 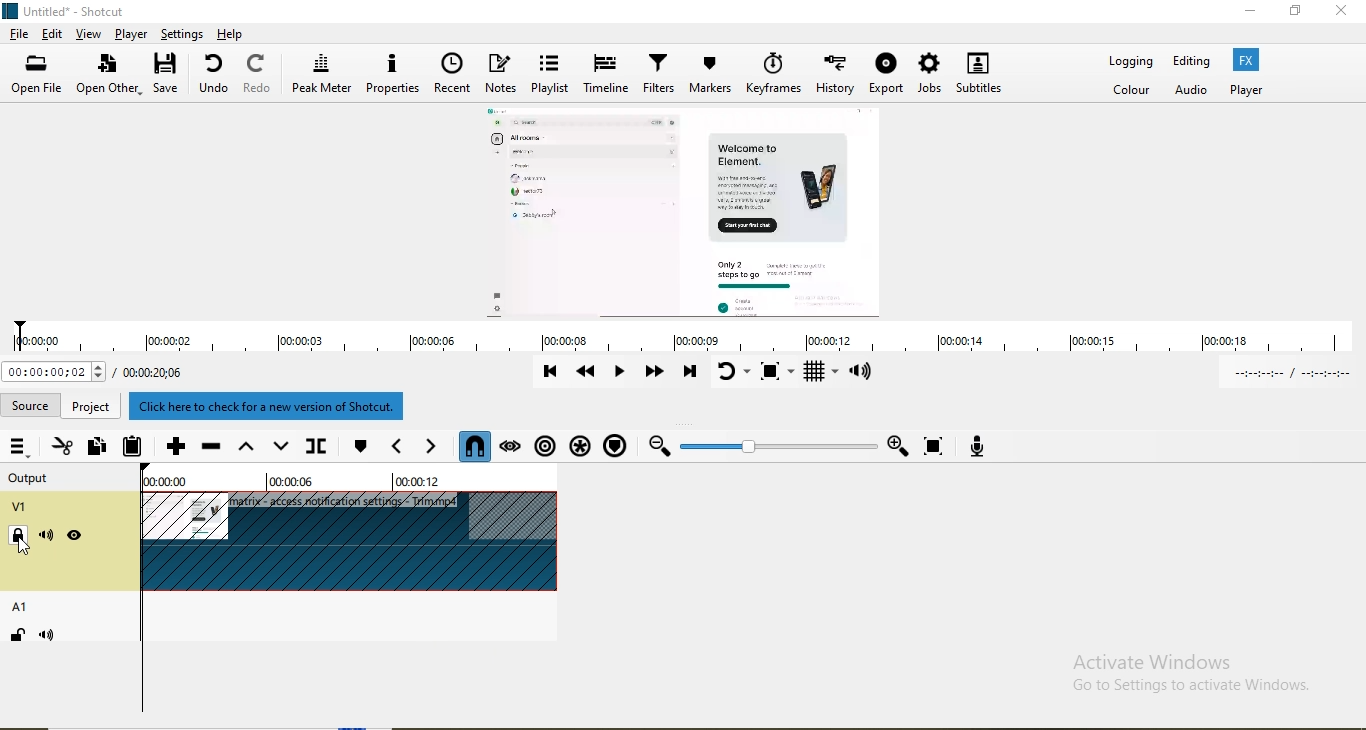 I want to click on Time markers, so click(x=344, y=482).